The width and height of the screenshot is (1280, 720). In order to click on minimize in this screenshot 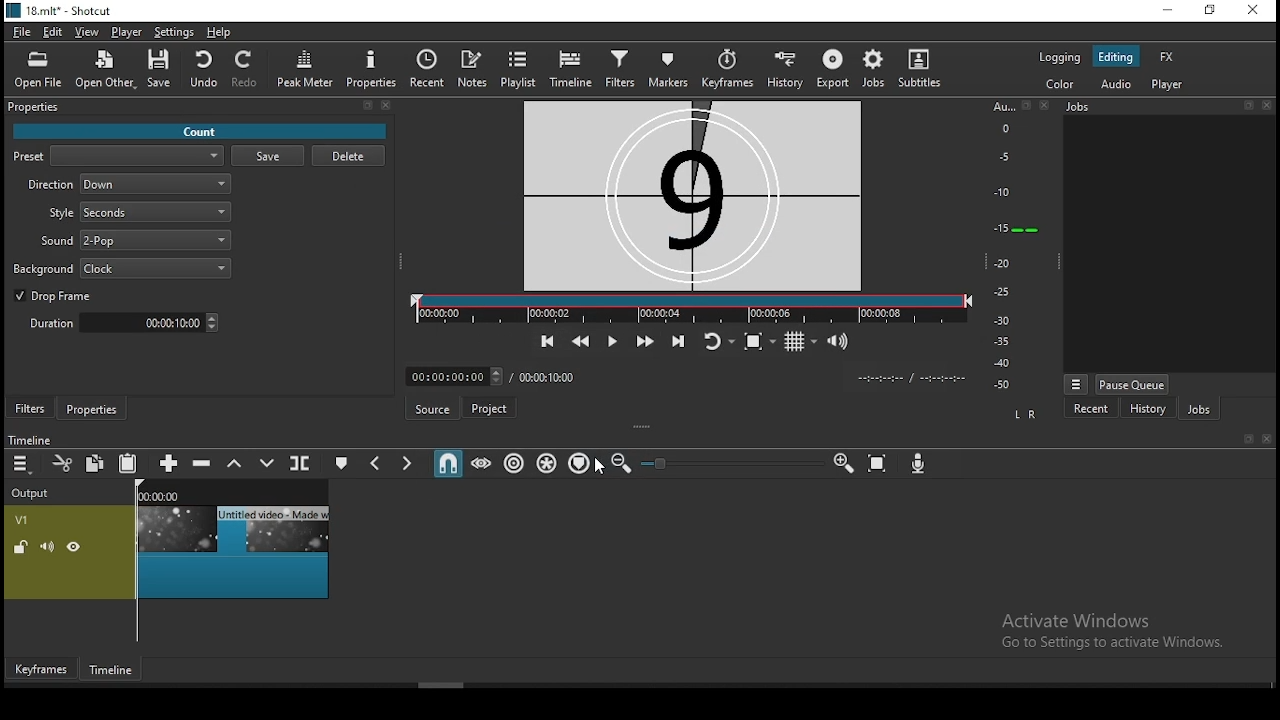, I will do `click(1167, 11)`.